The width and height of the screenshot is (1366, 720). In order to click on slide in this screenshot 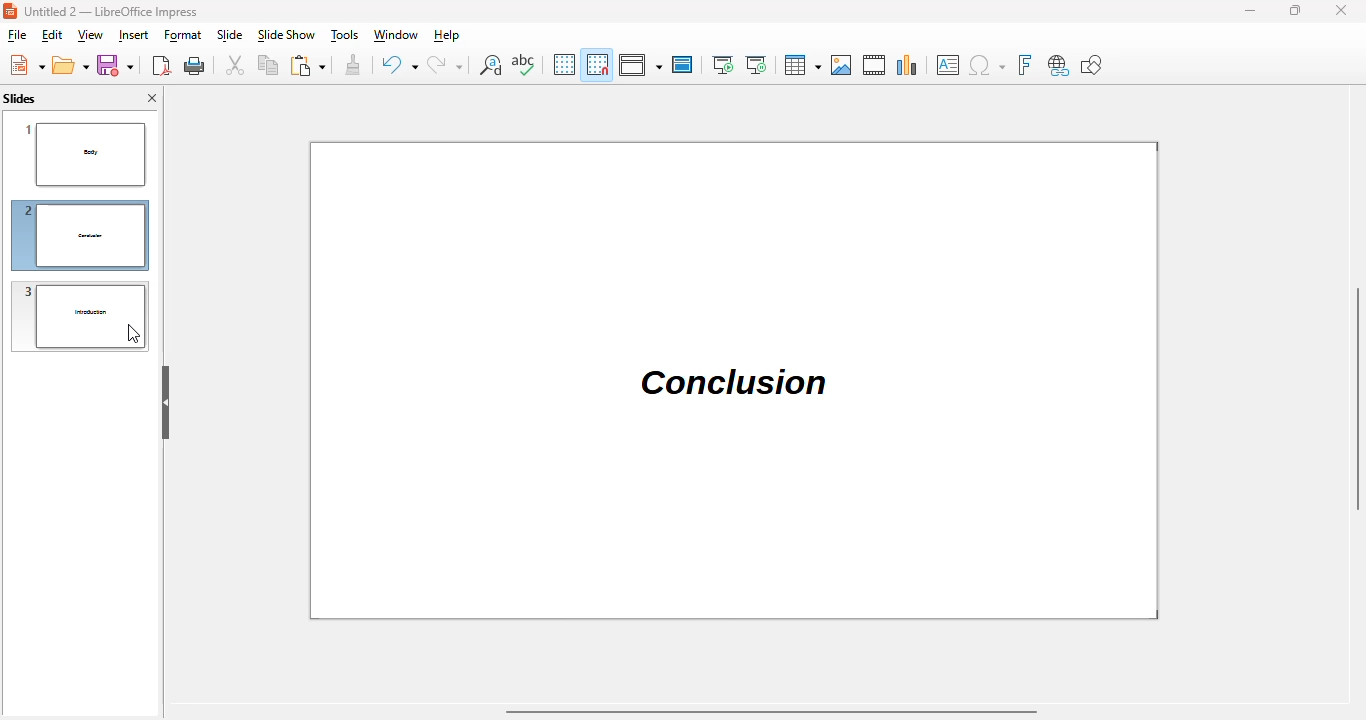, I will do `click(230, 35)`.